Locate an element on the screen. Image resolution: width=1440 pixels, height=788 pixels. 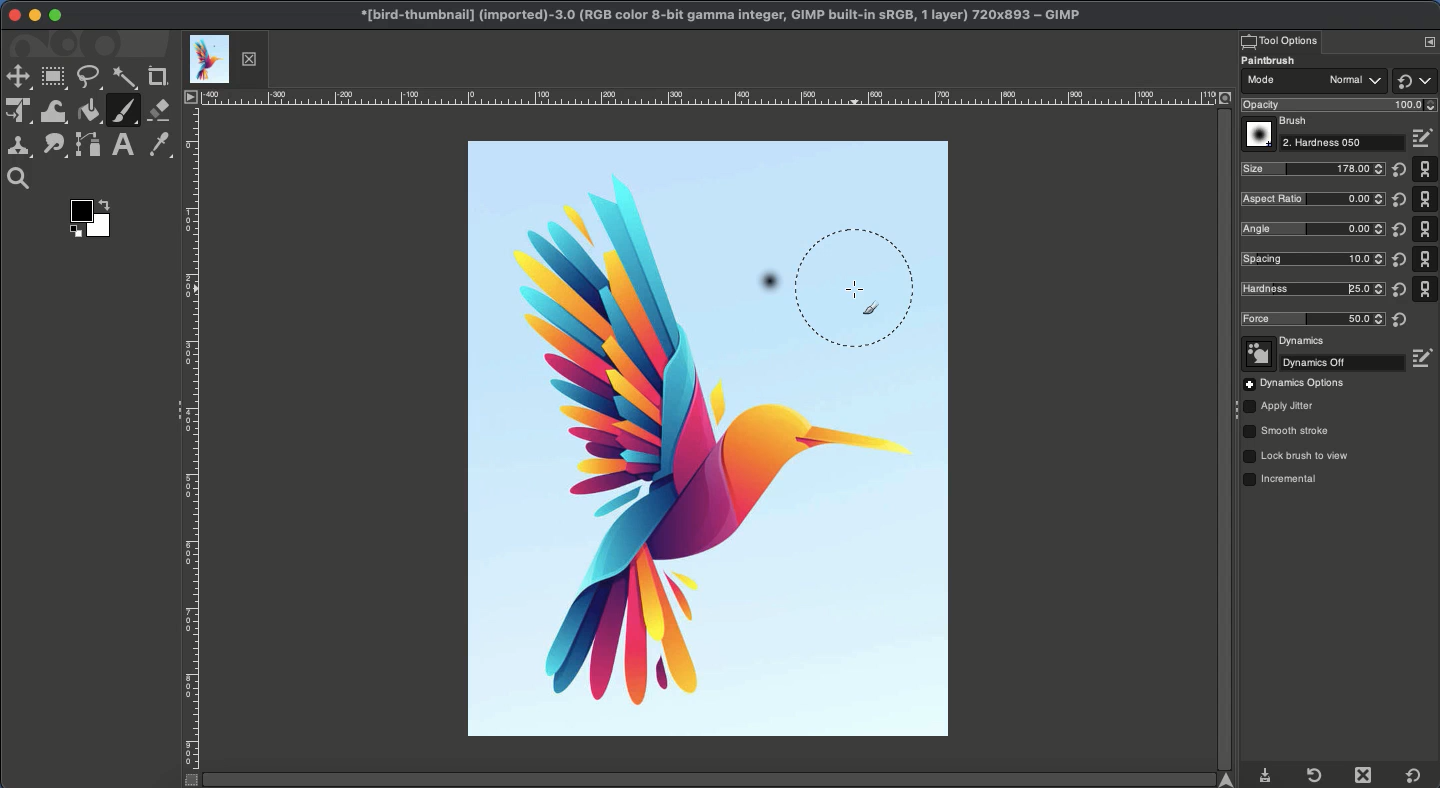
Text is located at coordinates (122, 145).